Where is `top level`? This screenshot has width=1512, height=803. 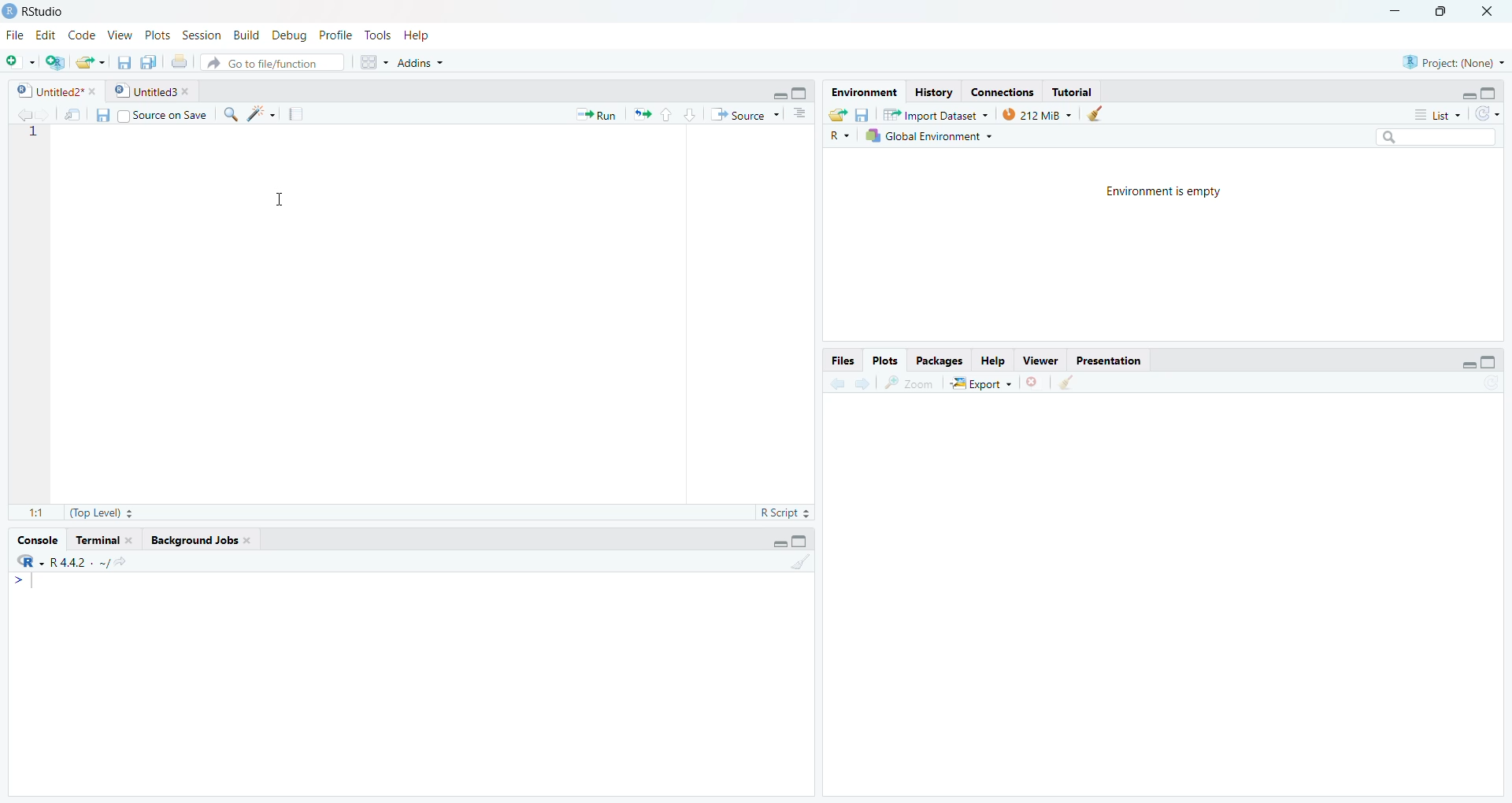 top level is located at coordinates (102, 512).